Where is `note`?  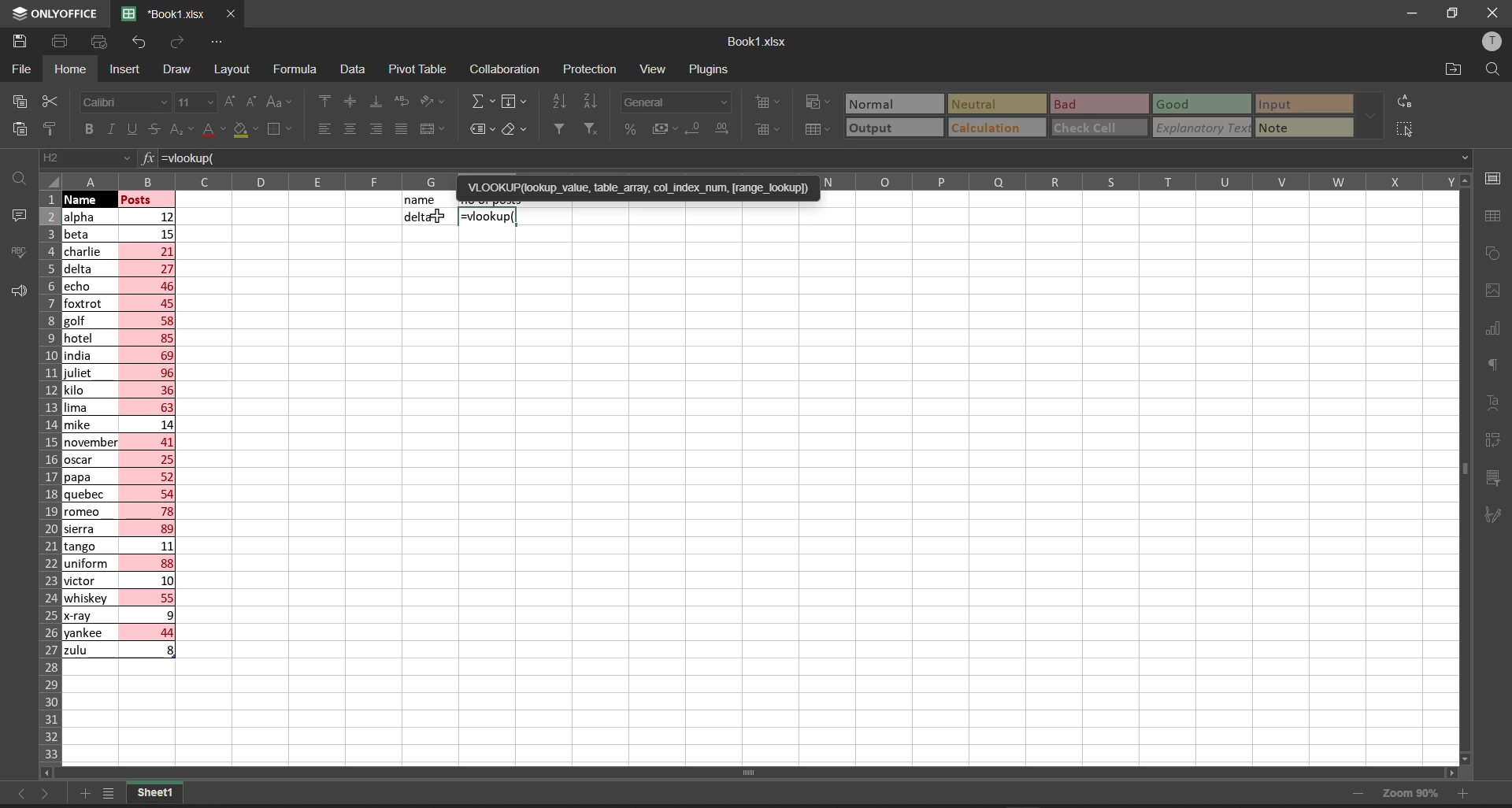
note is located at coordinates (1285, 126).